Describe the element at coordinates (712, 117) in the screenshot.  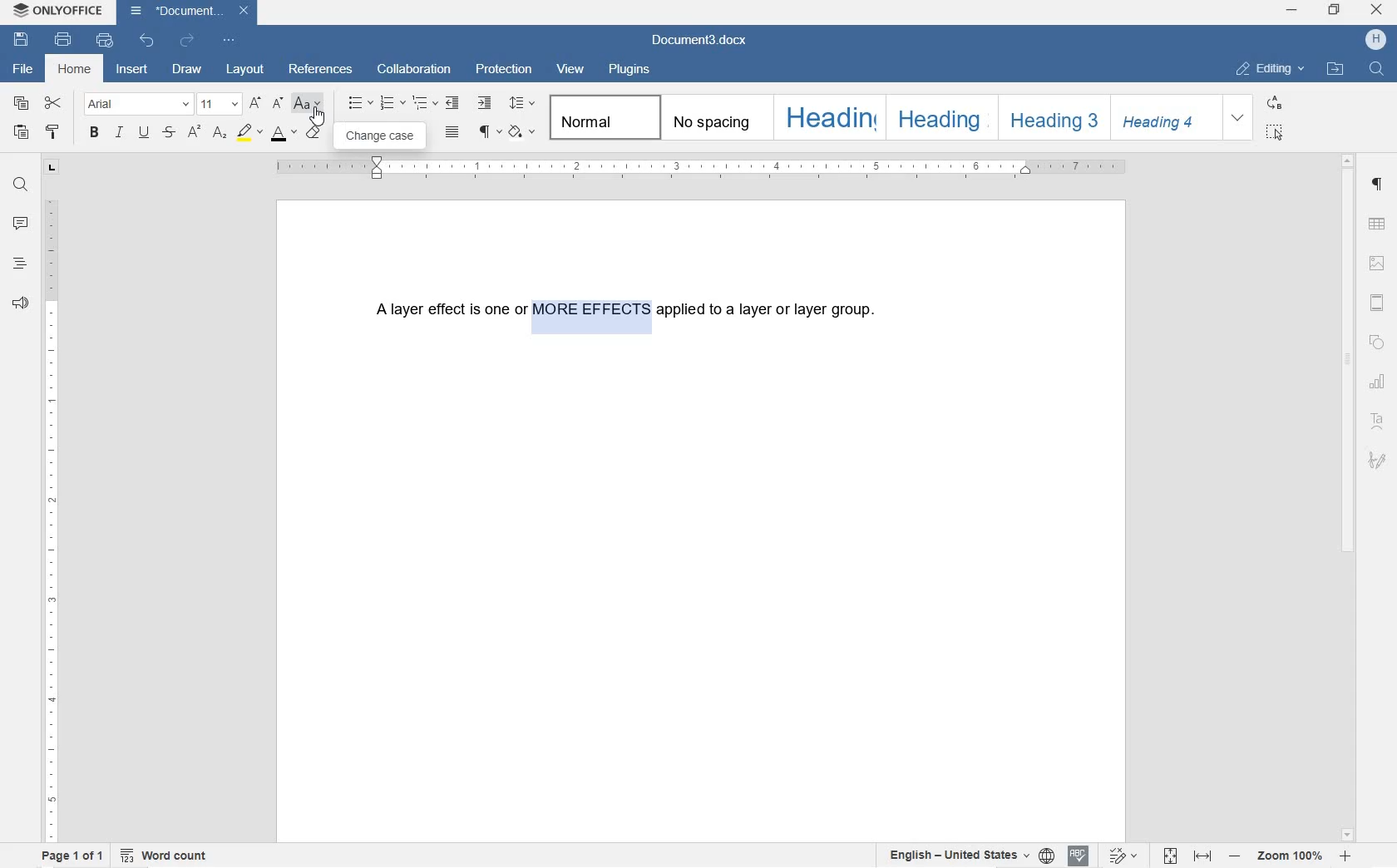
I see `NO SPACING` at that location.